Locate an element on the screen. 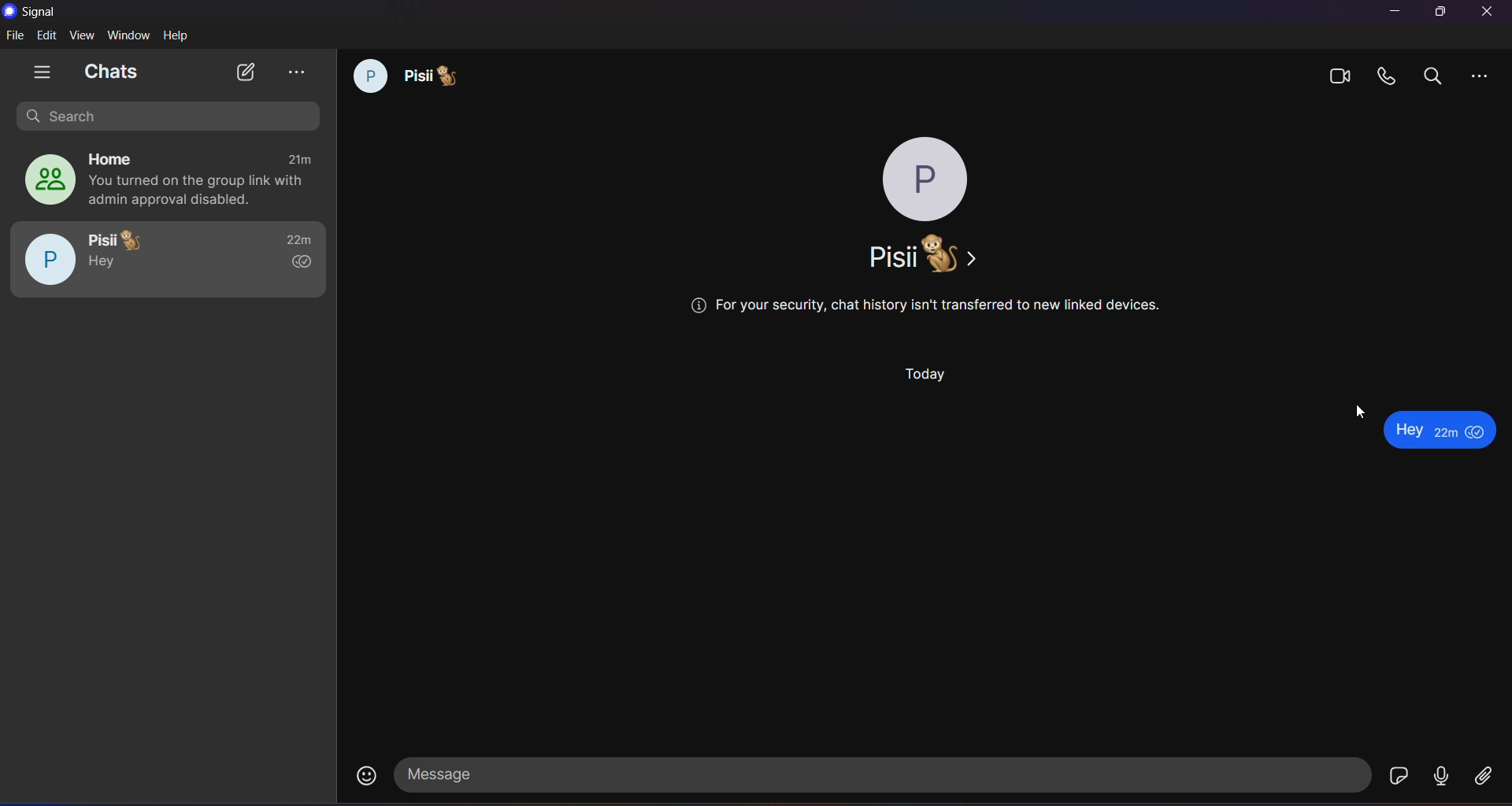 This screenshot has width=1512, height=806. file share is located at coordinates (1485, 778).